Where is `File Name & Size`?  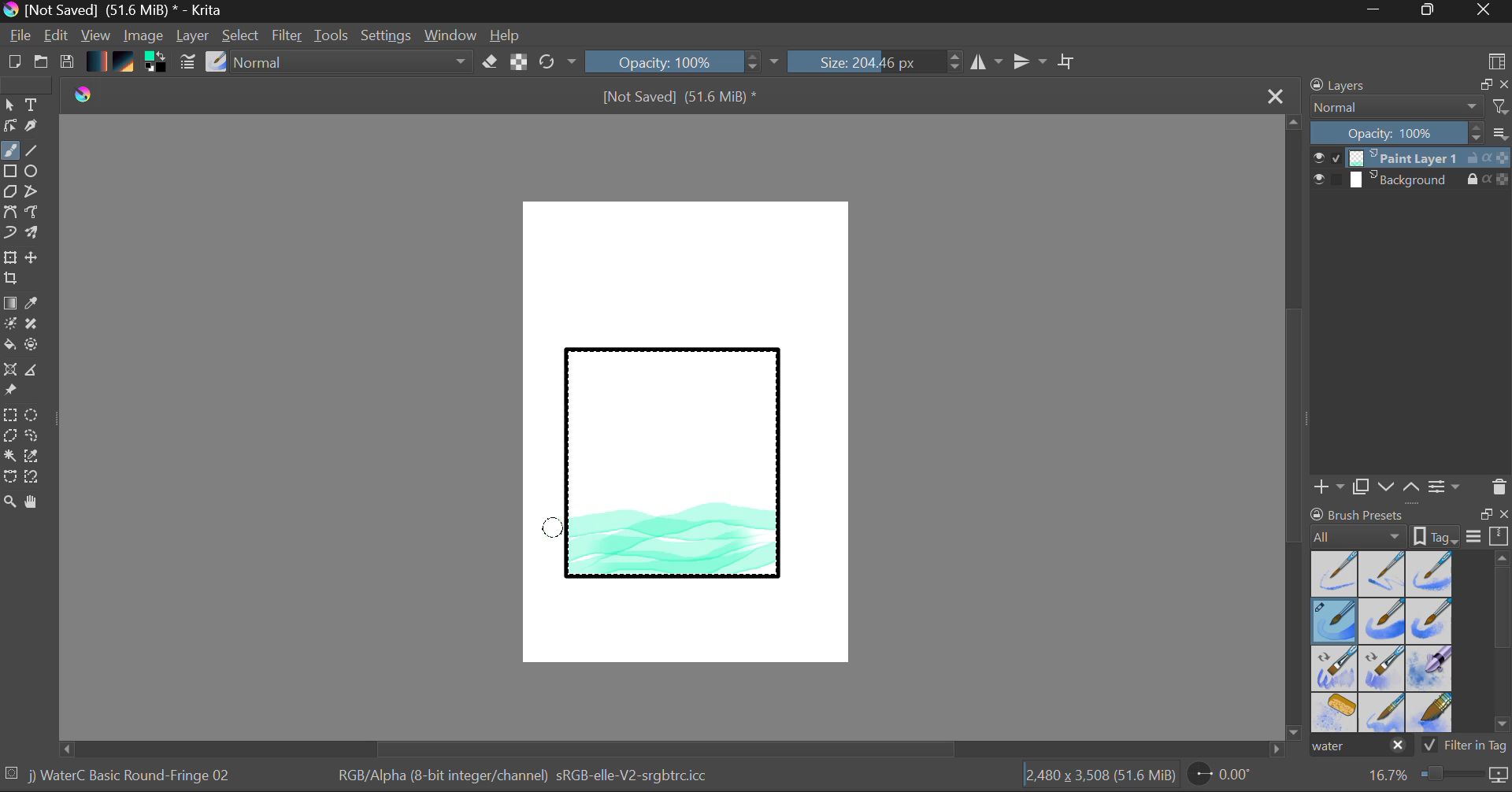
File Name & Size is located at coordinates (680, 98).